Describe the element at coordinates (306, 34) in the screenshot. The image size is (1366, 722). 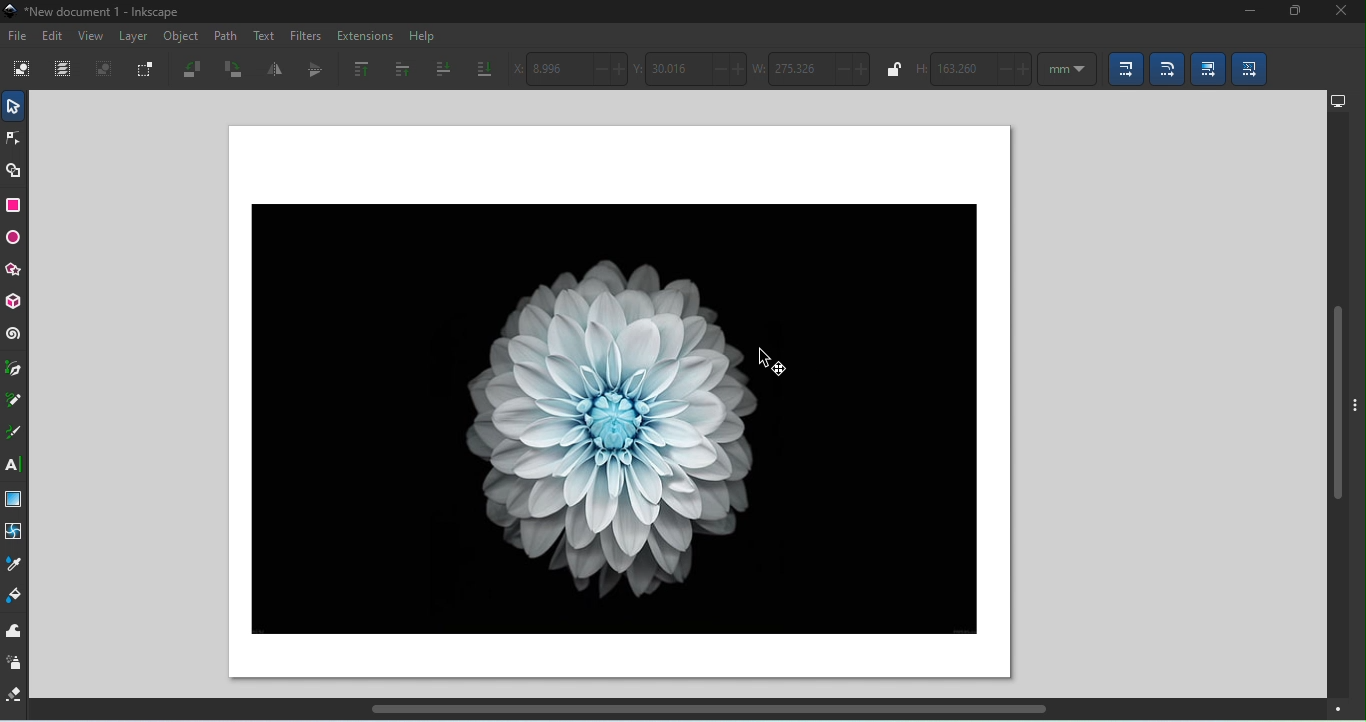
I see `Filters` at that location.